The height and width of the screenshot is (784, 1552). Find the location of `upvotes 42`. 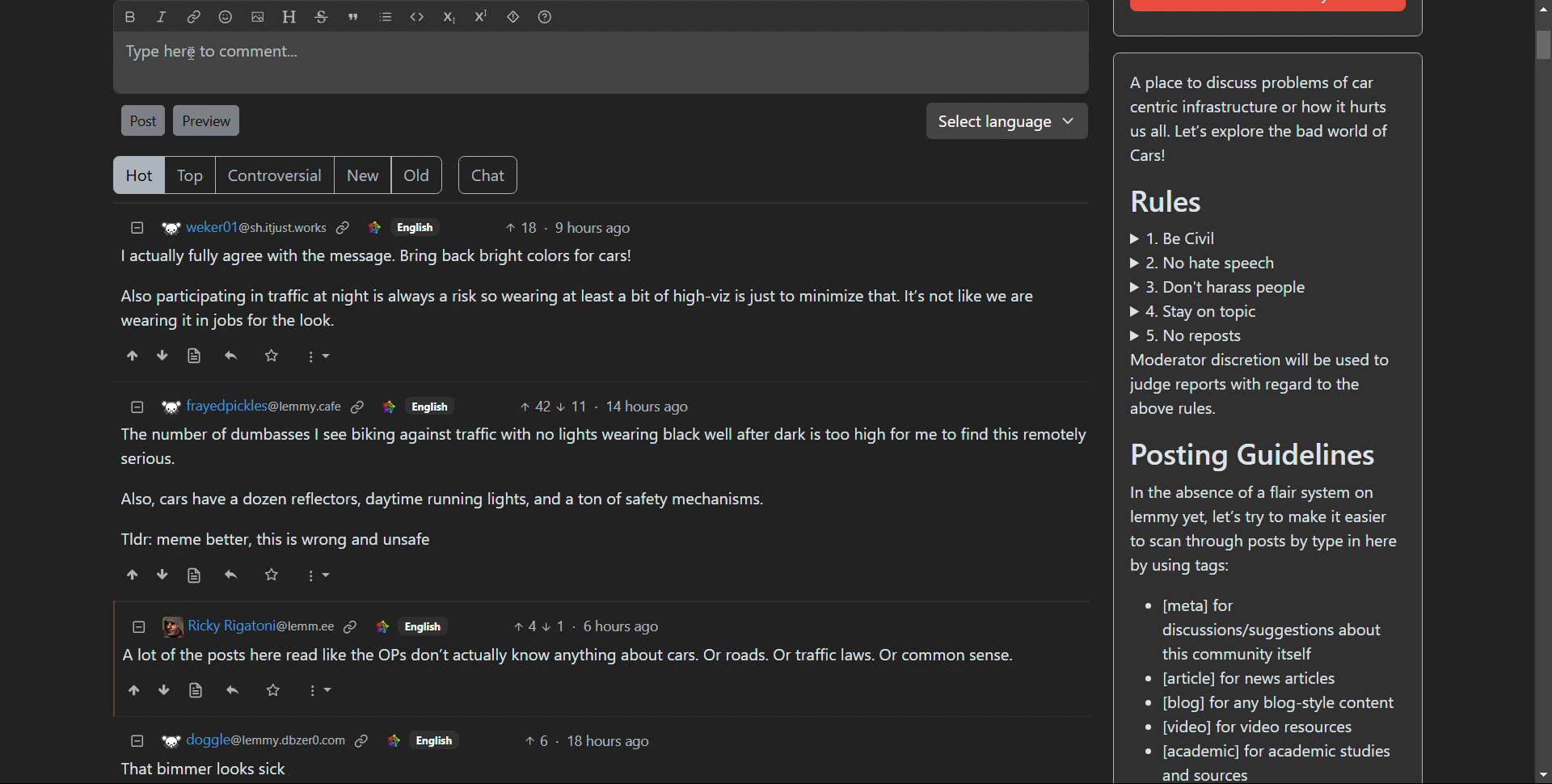

upvotes 42 is located at coordinates (536, 404).